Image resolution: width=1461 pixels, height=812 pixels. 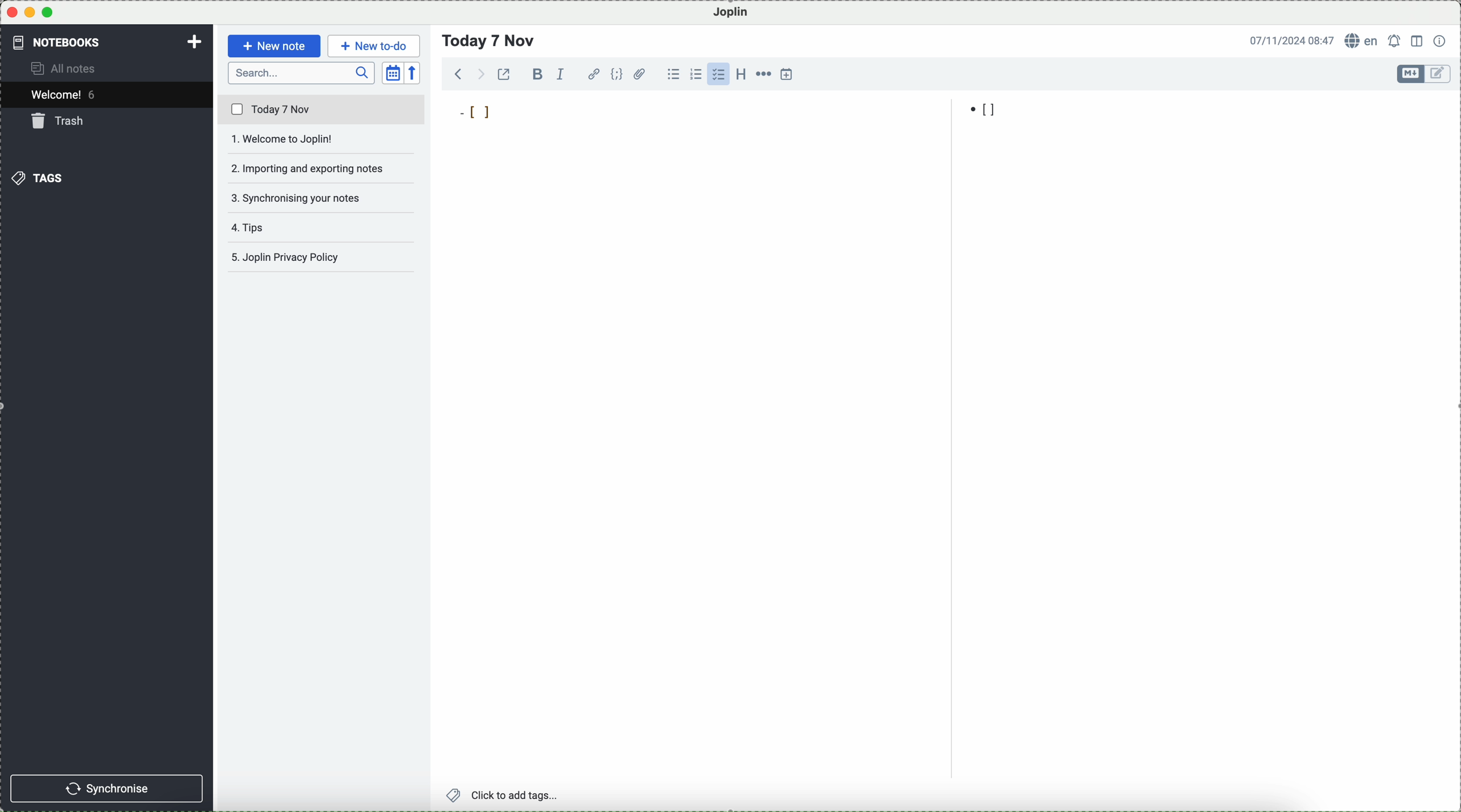 What do you see at coordinates (696, 74) in the screenshot?
I see `numbered list` at bounding box center [696, 74].